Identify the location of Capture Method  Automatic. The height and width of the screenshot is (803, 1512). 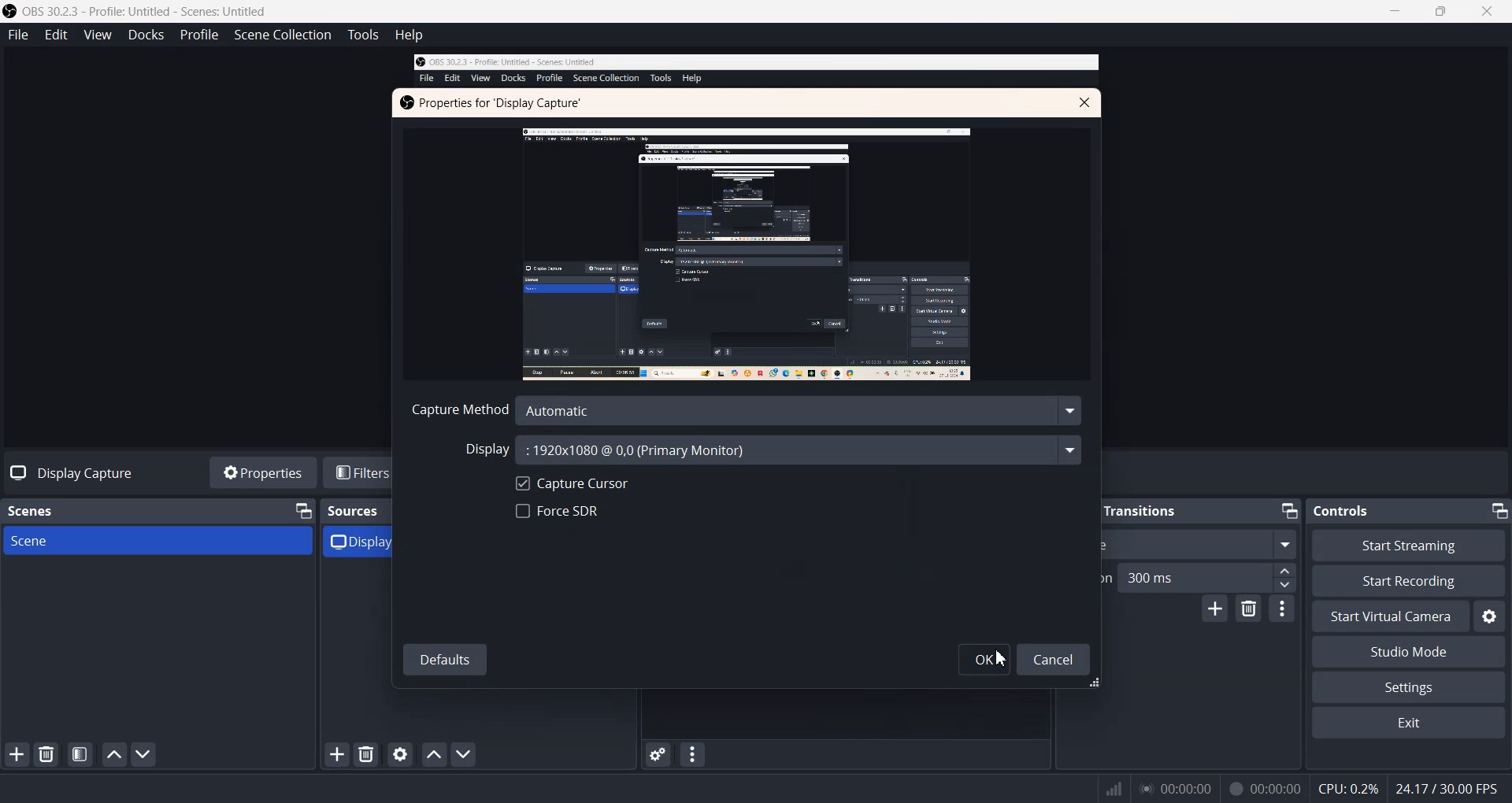
(747, 410).